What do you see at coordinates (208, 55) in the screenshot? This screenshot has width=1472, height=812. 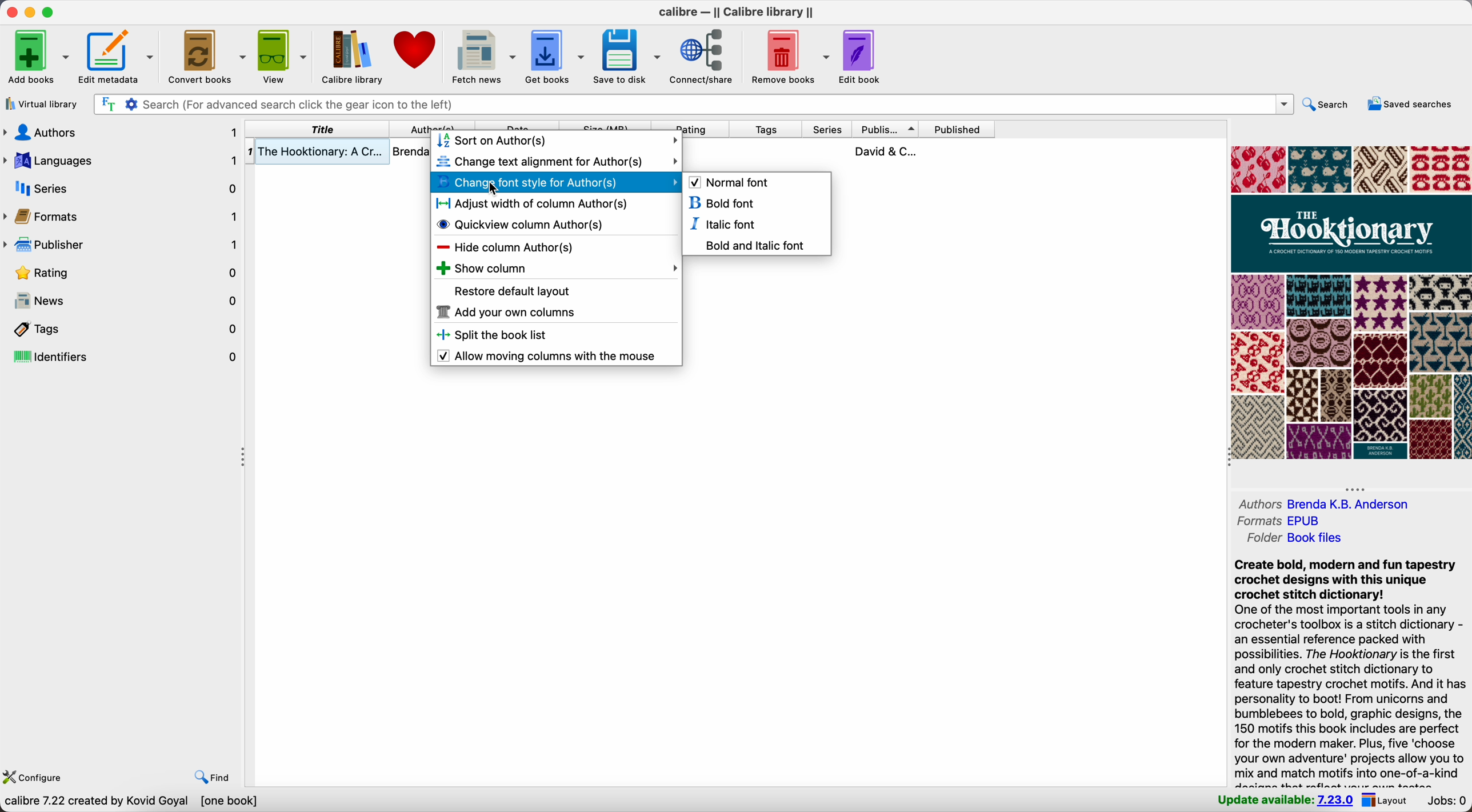 I see `convert books` at bounding box center [208, 55].